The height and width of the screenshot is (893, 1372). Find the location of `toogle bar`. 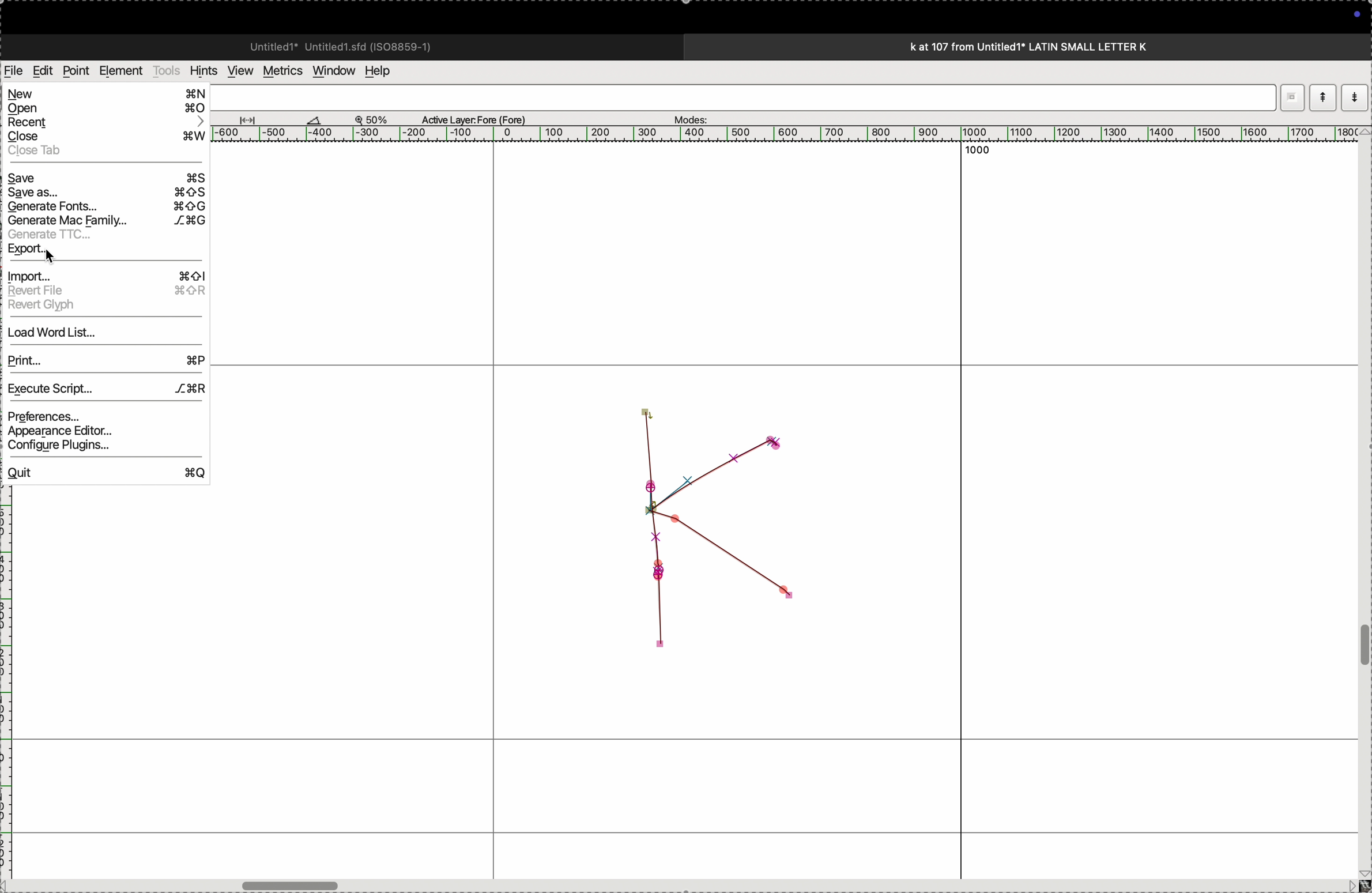

toogle bar is located at coordinates (292, 883).